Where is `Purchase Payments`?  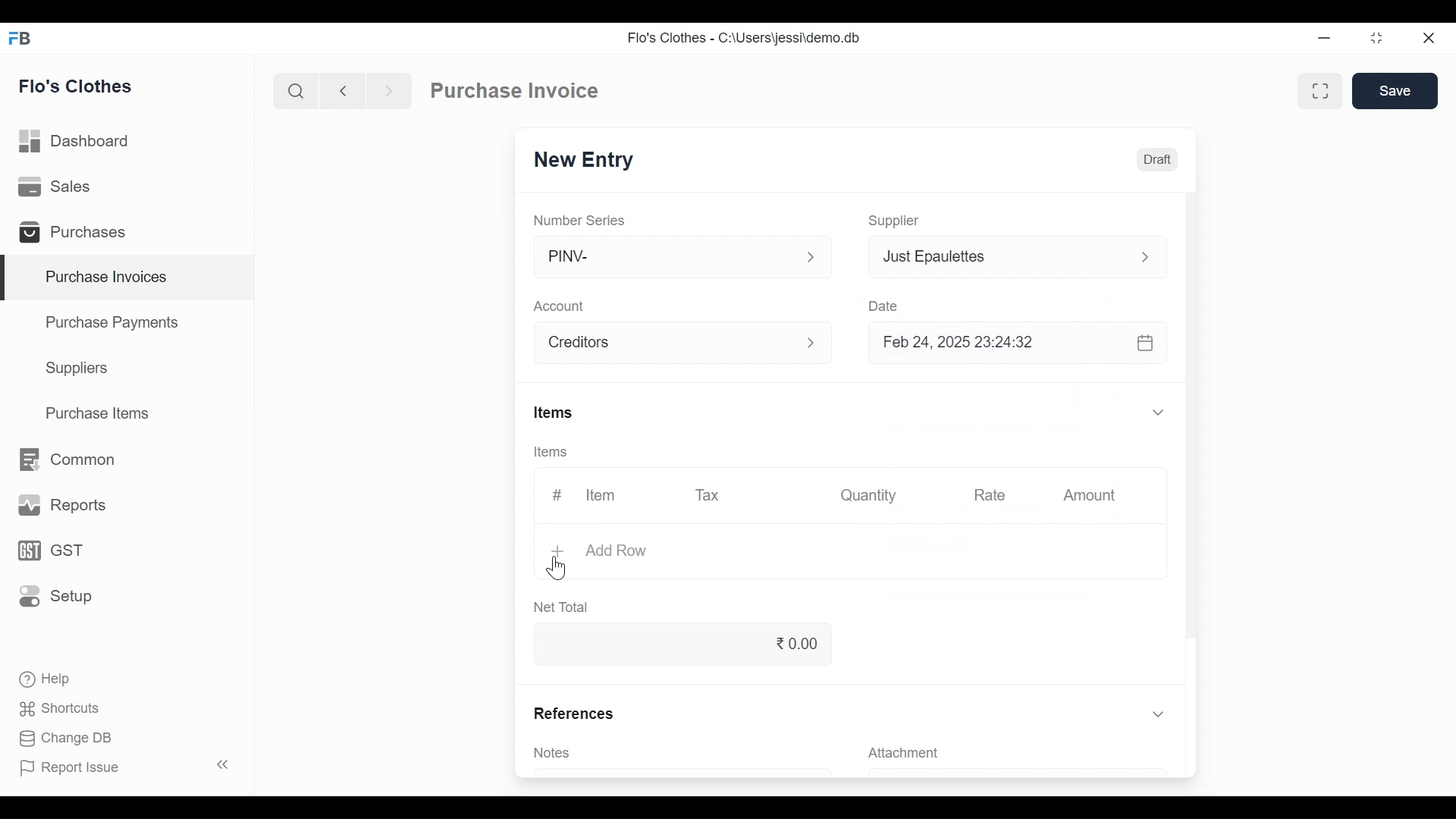 Purchase Payments is located at coordinates (111, 322).